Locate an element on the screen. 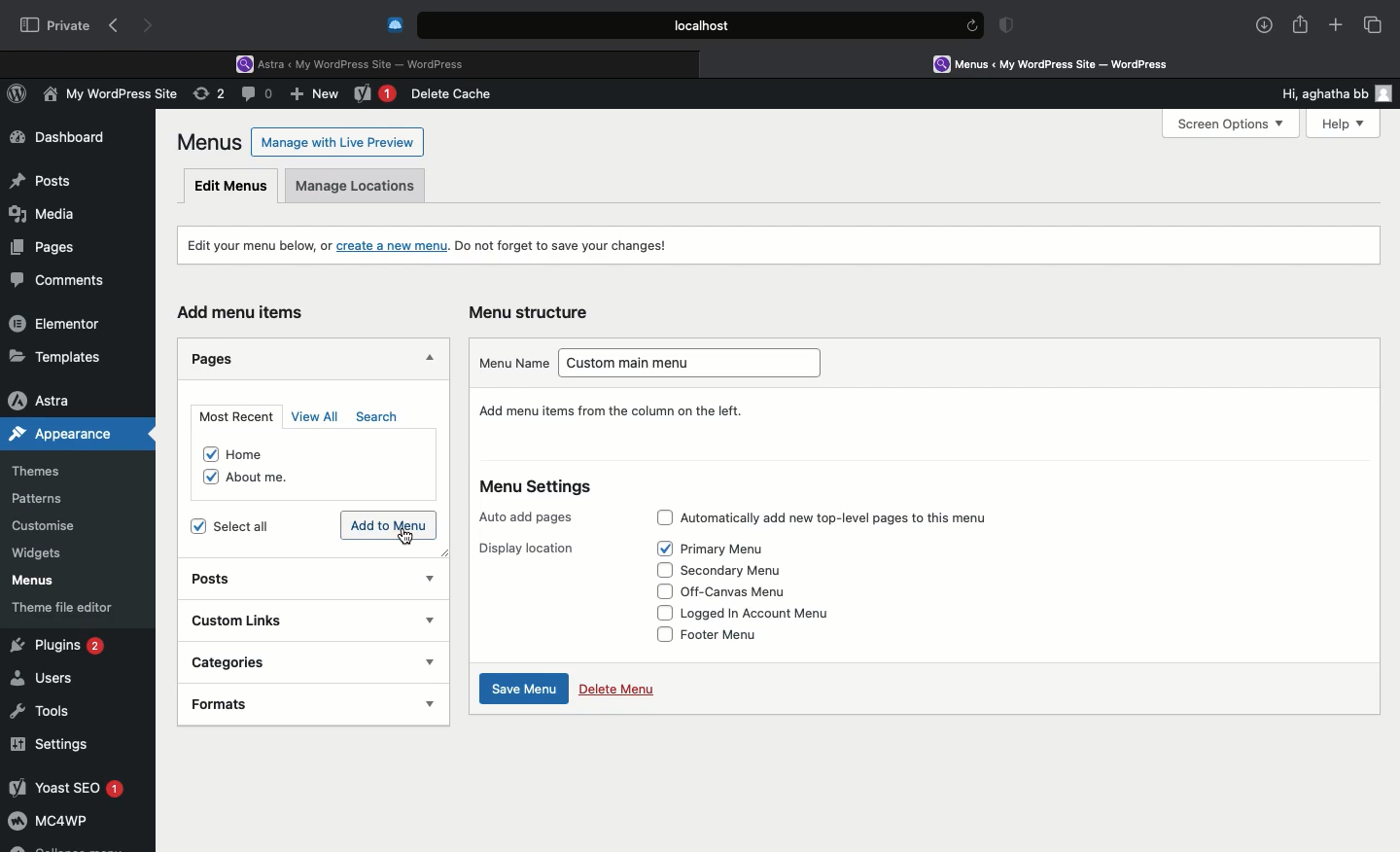 The height and width of the screenshot is (852, 1400). Posts is located at coordinates (229, 581).